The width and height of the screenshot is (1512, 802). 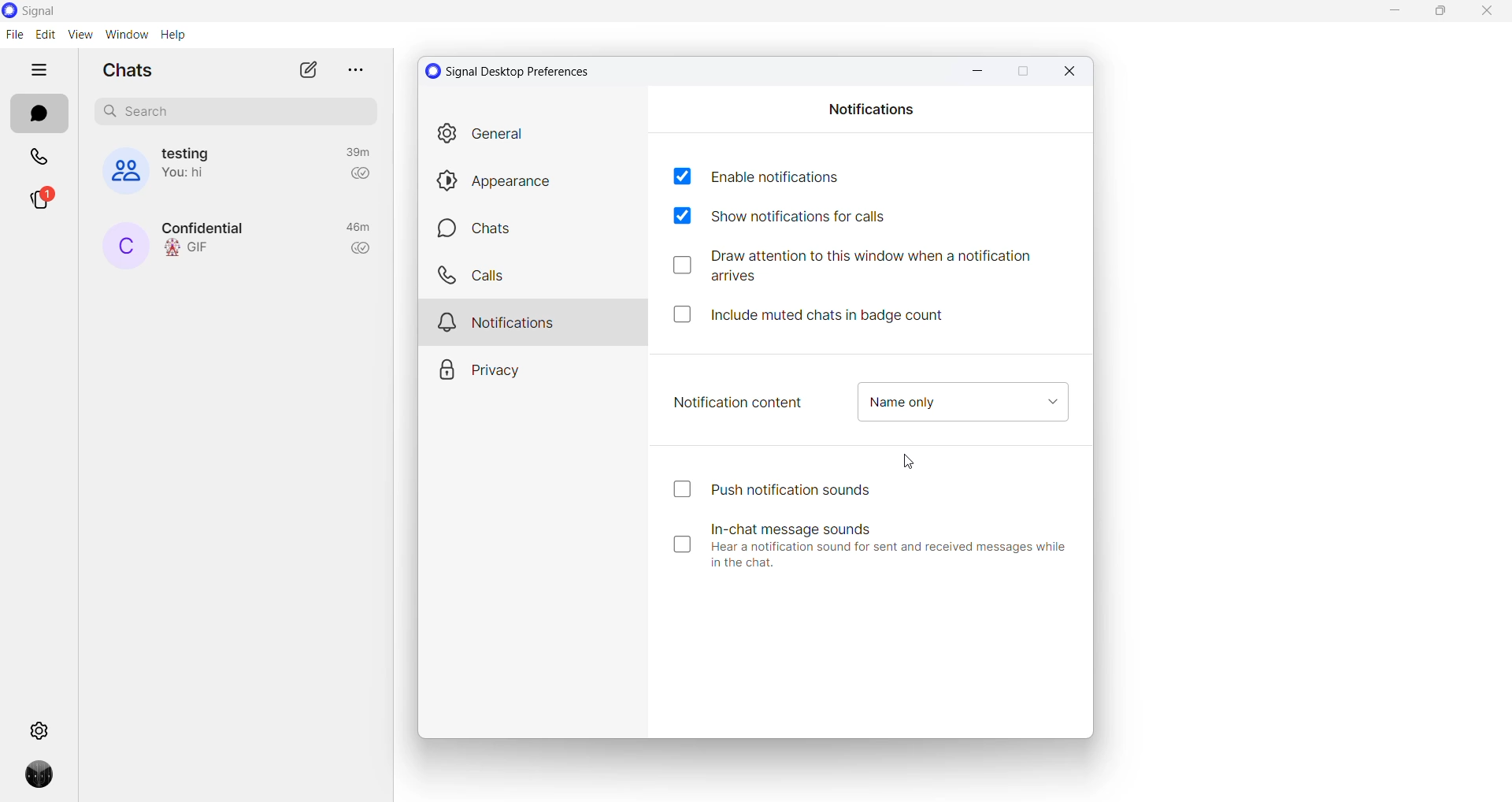 I want to click on Maximize, so click(x=1022, y=72).